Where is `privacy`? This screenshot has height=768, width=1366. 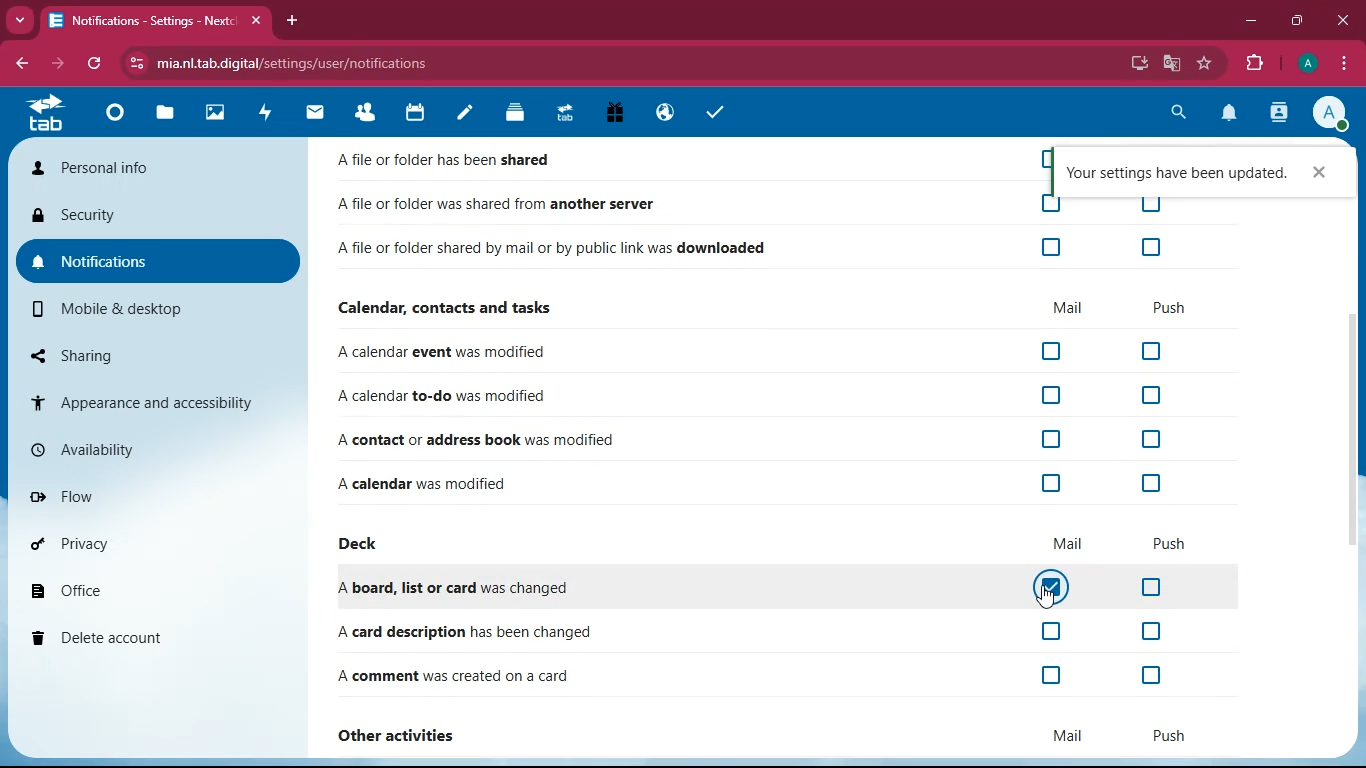
privacy is located at coordinates (155, 546).